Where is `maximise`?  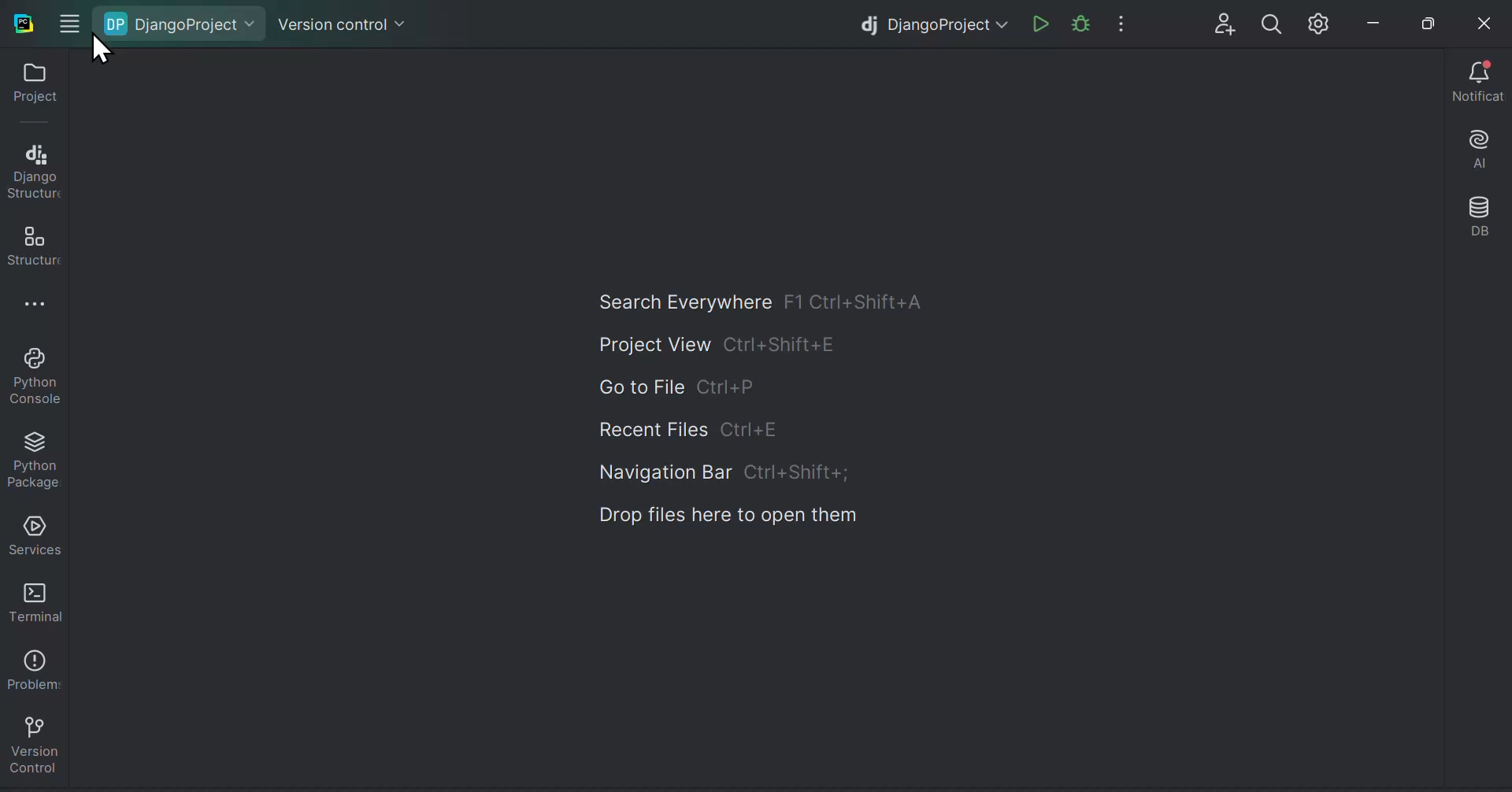
maximise is located at coordinates (1421, 20).